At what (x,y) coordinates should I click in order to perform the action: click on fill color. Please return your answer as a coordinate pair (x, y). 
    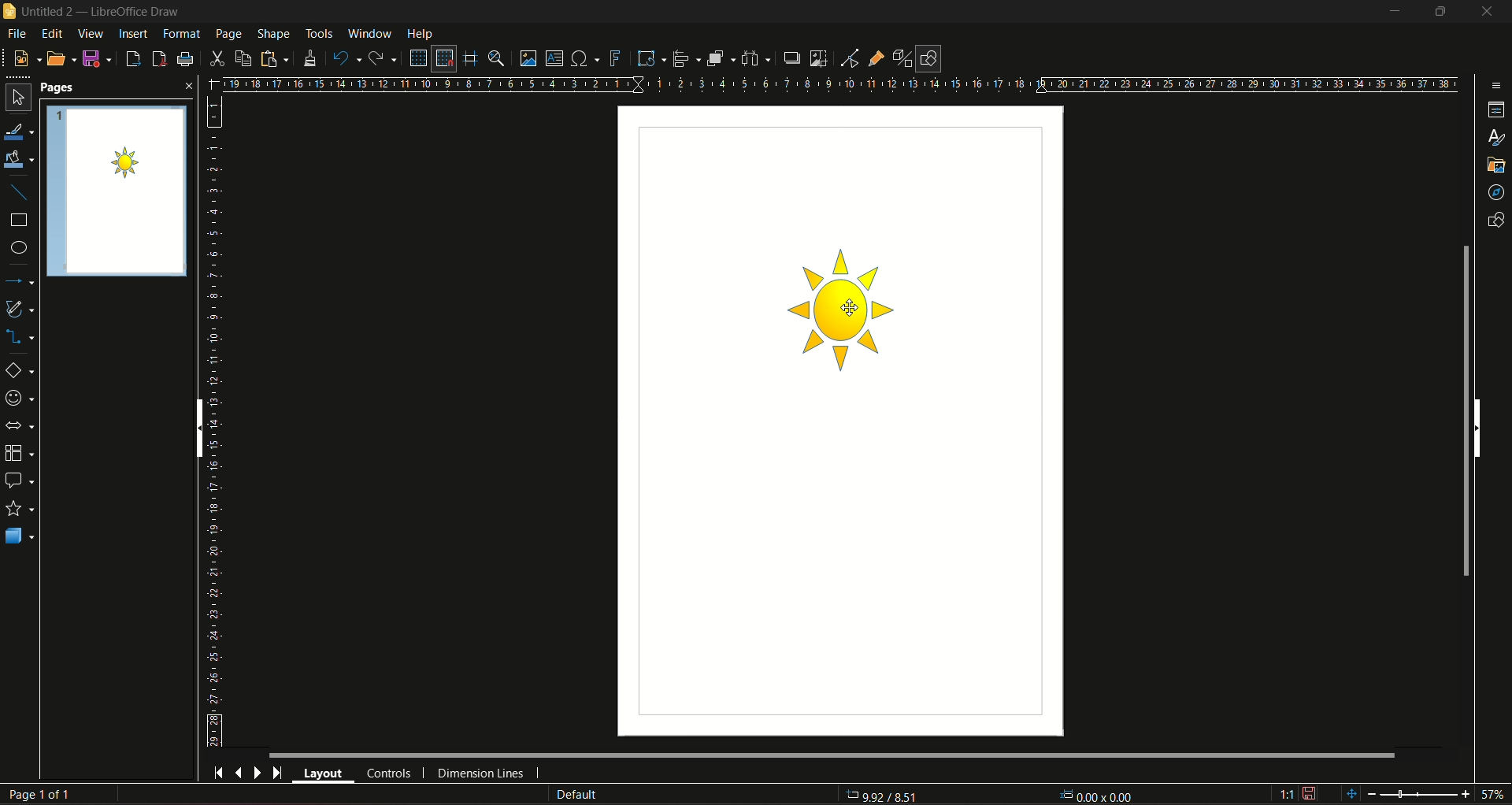
    Looking at the image, I should click on (20, 160).